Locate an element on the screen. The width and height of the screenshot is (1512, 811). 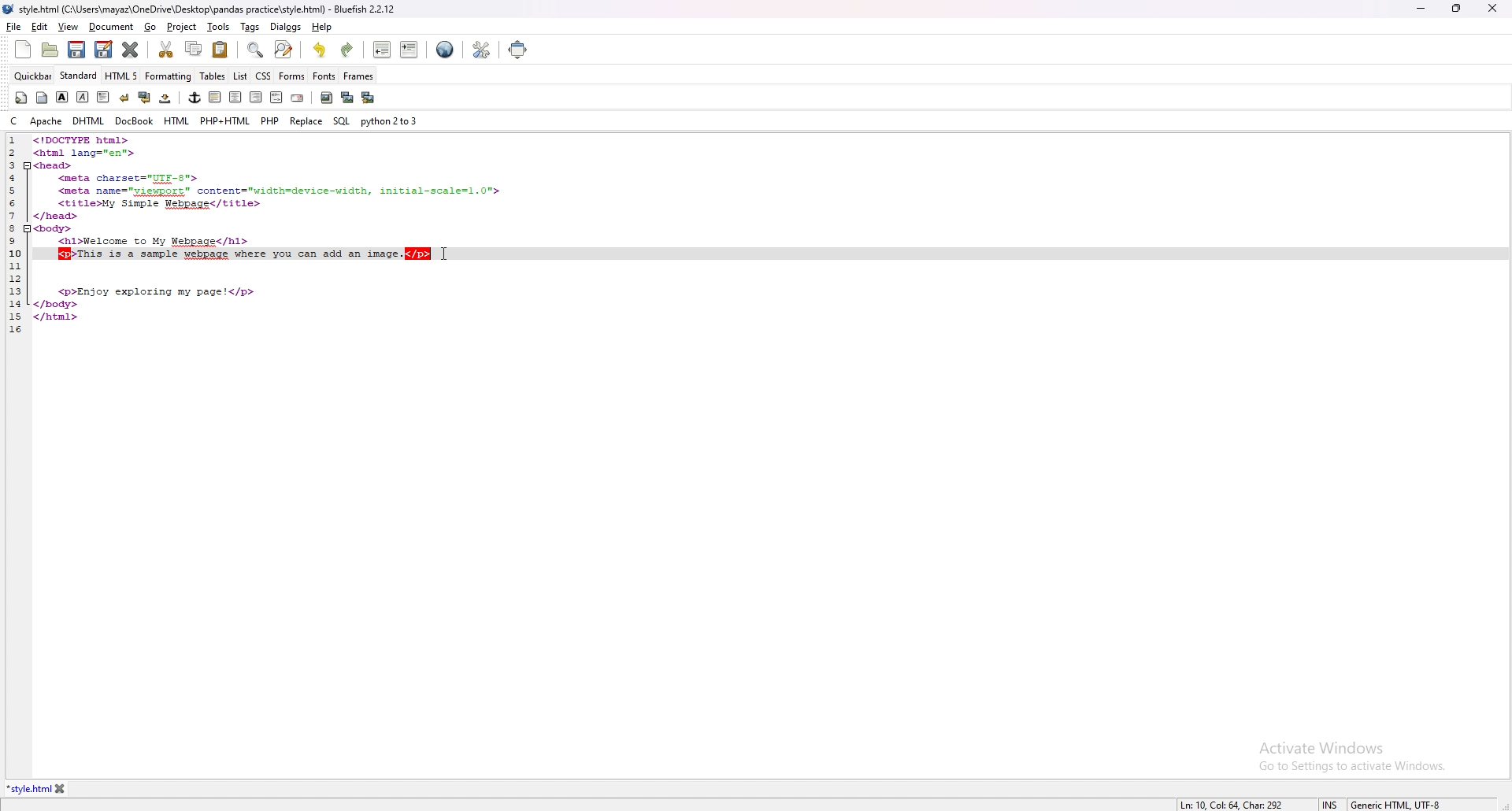
<meta charset="UIF-8"> is located at coordinates (130, 179).